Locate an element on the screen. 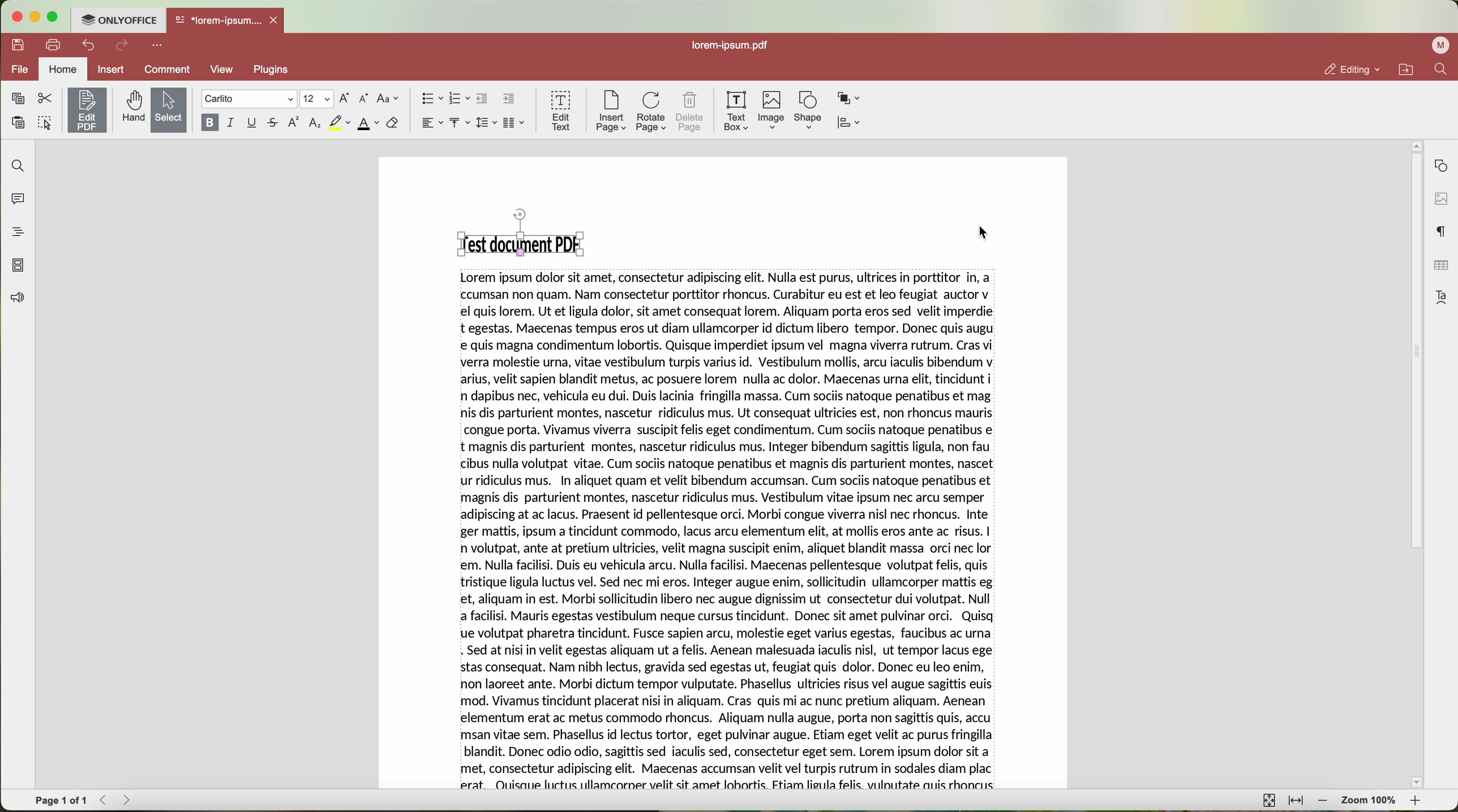  fit to width is located at coordinates (1296, 801).